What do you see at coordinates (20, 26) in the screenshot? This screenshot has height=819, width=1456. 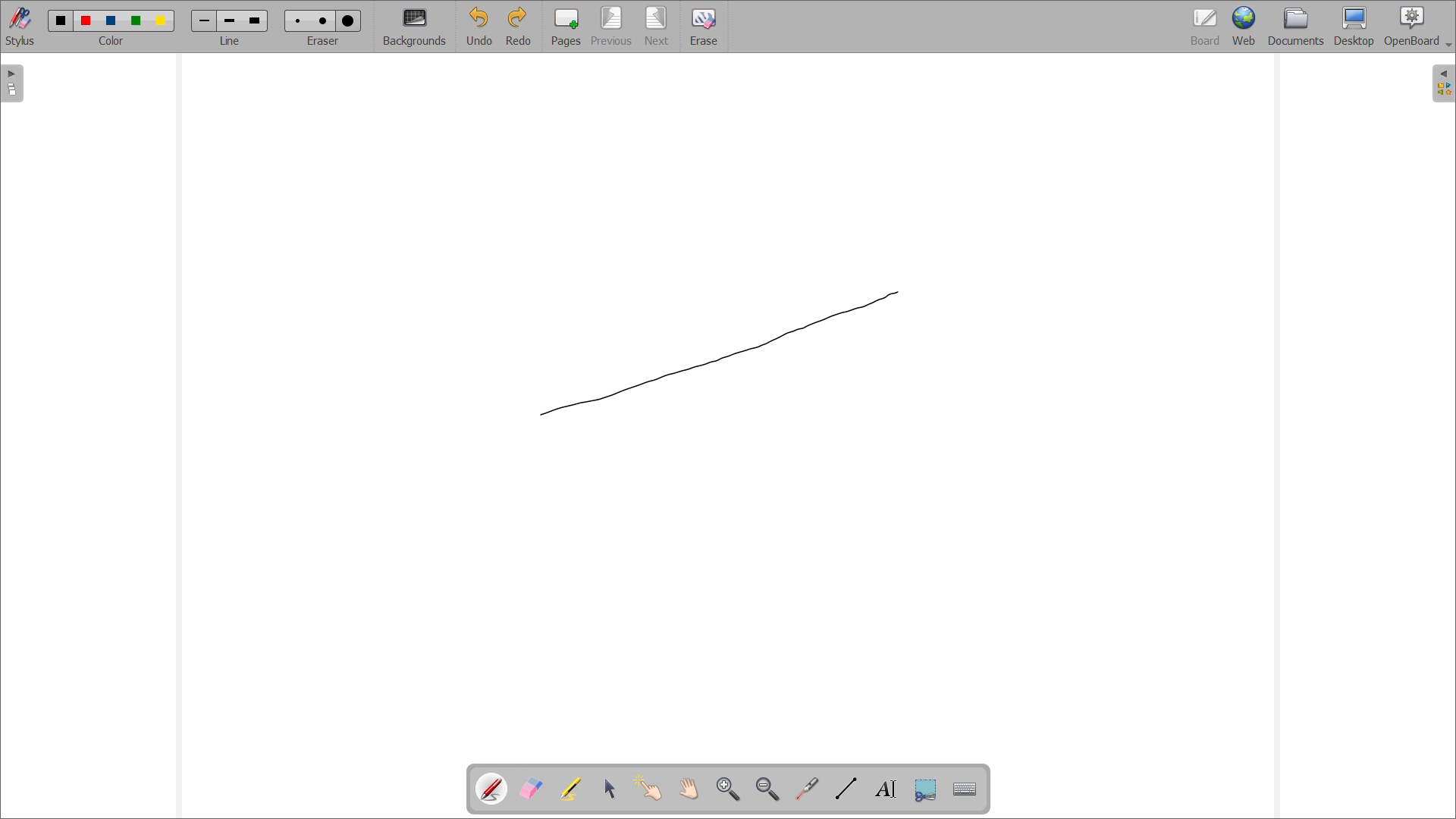 I see `toggle stylus` at bounding box center [20, 26].